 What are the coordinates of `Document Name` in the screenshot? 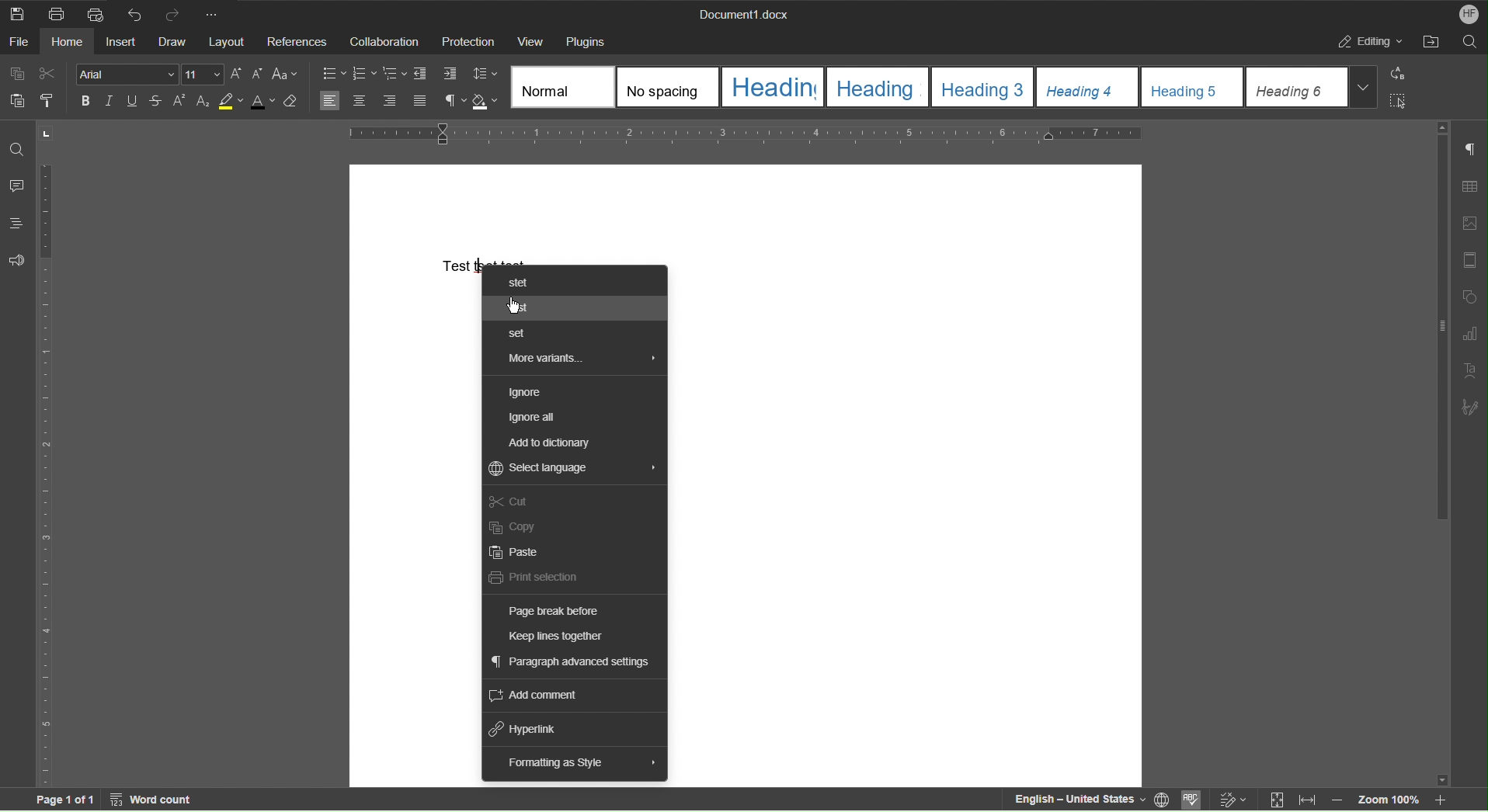 It's located at (742, 12).